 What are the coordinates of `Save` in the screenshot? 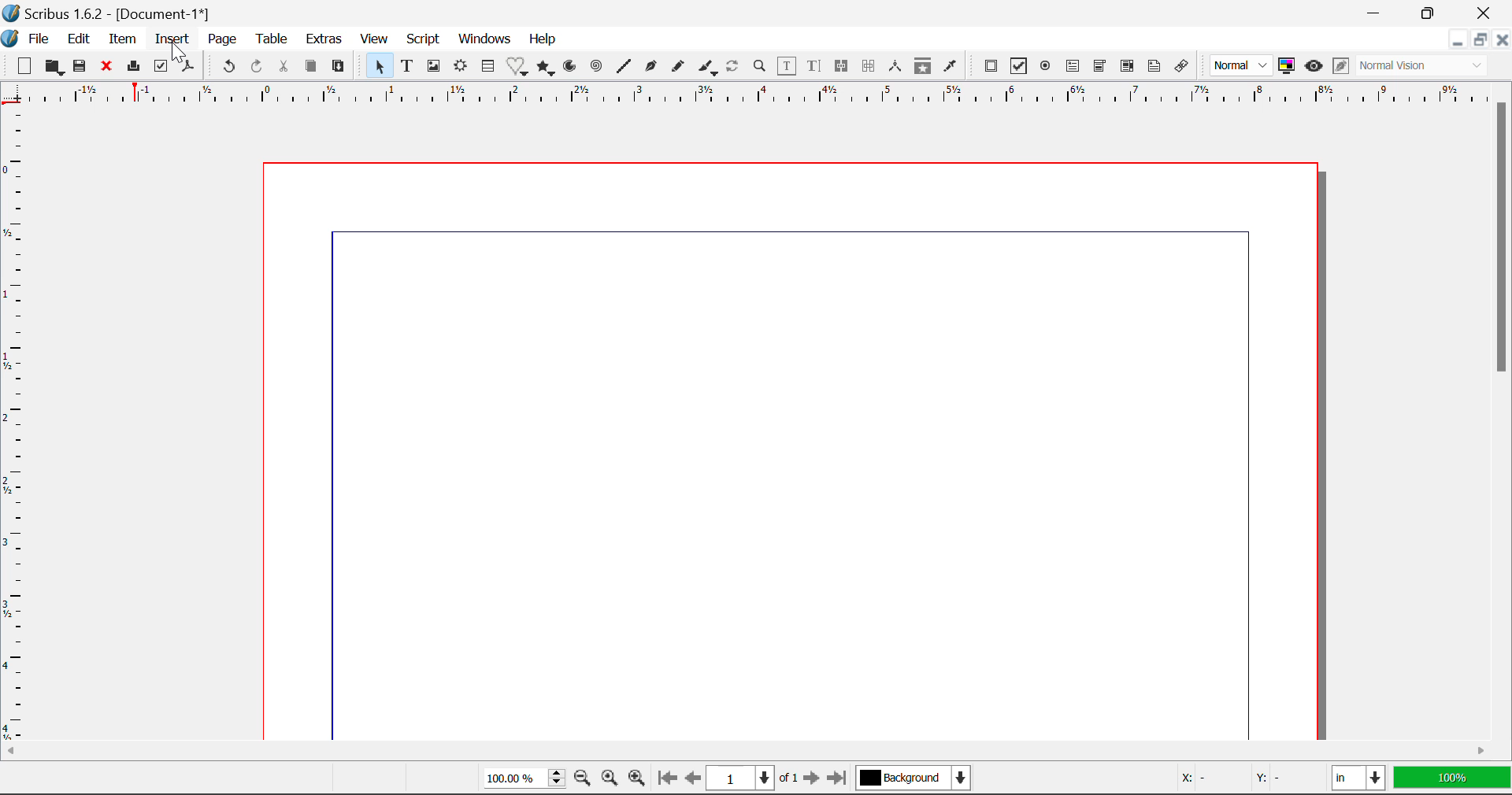 It's located at (84, 68).